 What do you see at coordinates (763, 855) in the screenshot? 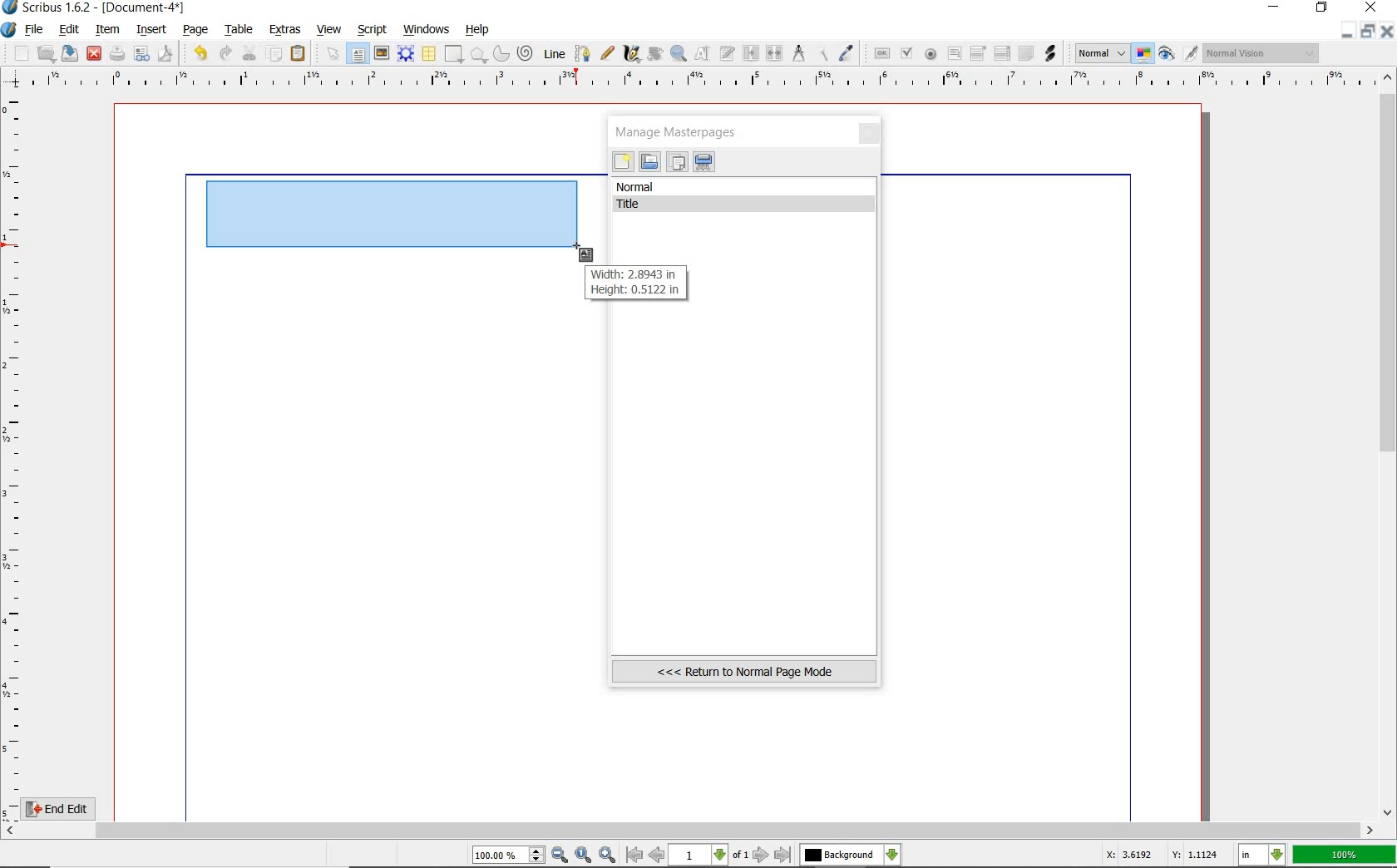
I see `go to next page` at bounding box center [763, 855].